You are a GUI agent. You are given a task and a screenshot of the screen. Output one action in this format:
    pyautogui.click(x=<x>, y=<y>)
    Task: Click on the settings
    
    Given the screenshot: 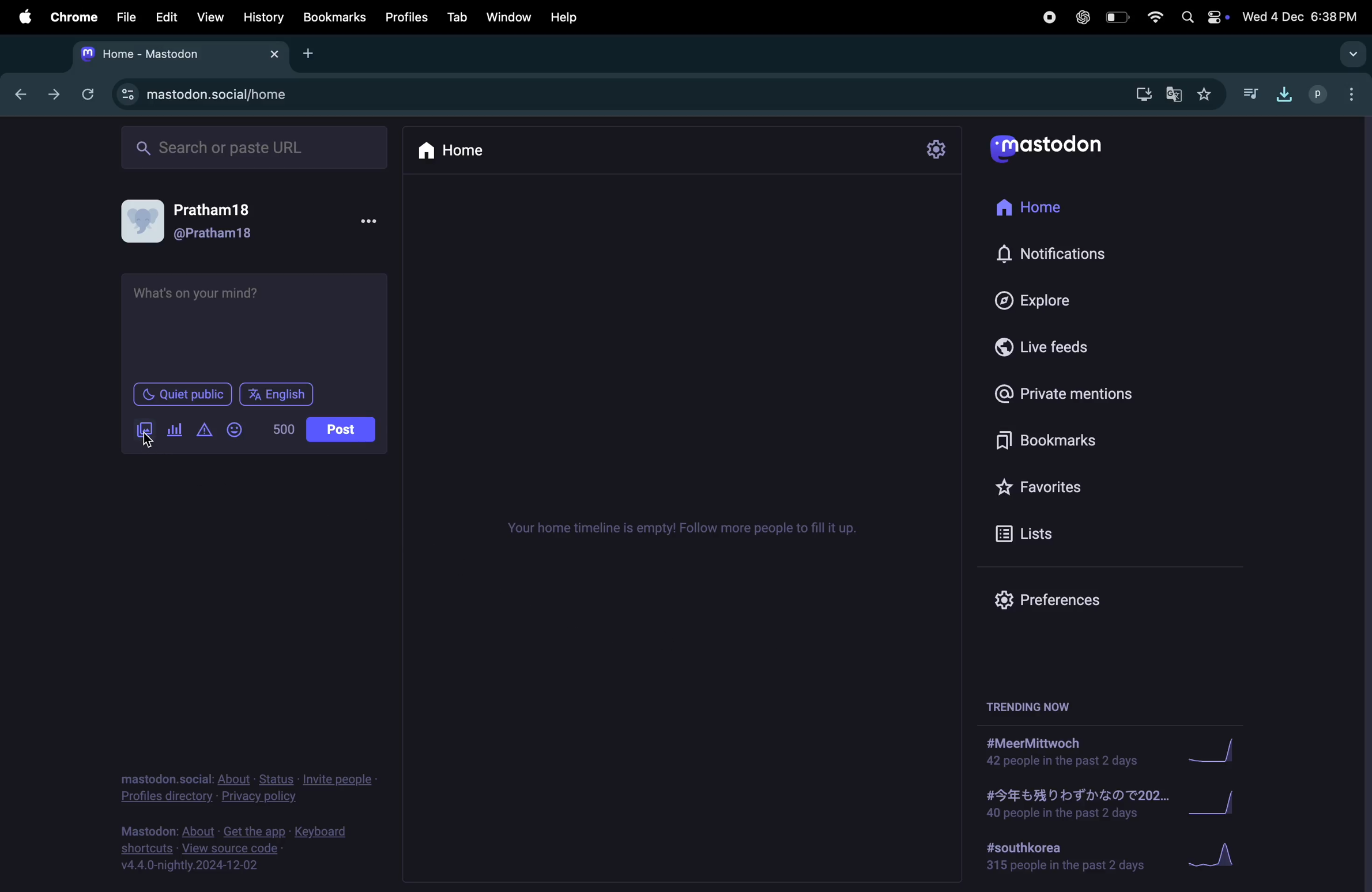 What is the action you would take?
    pyautogui.click(x=933, y=149)
    